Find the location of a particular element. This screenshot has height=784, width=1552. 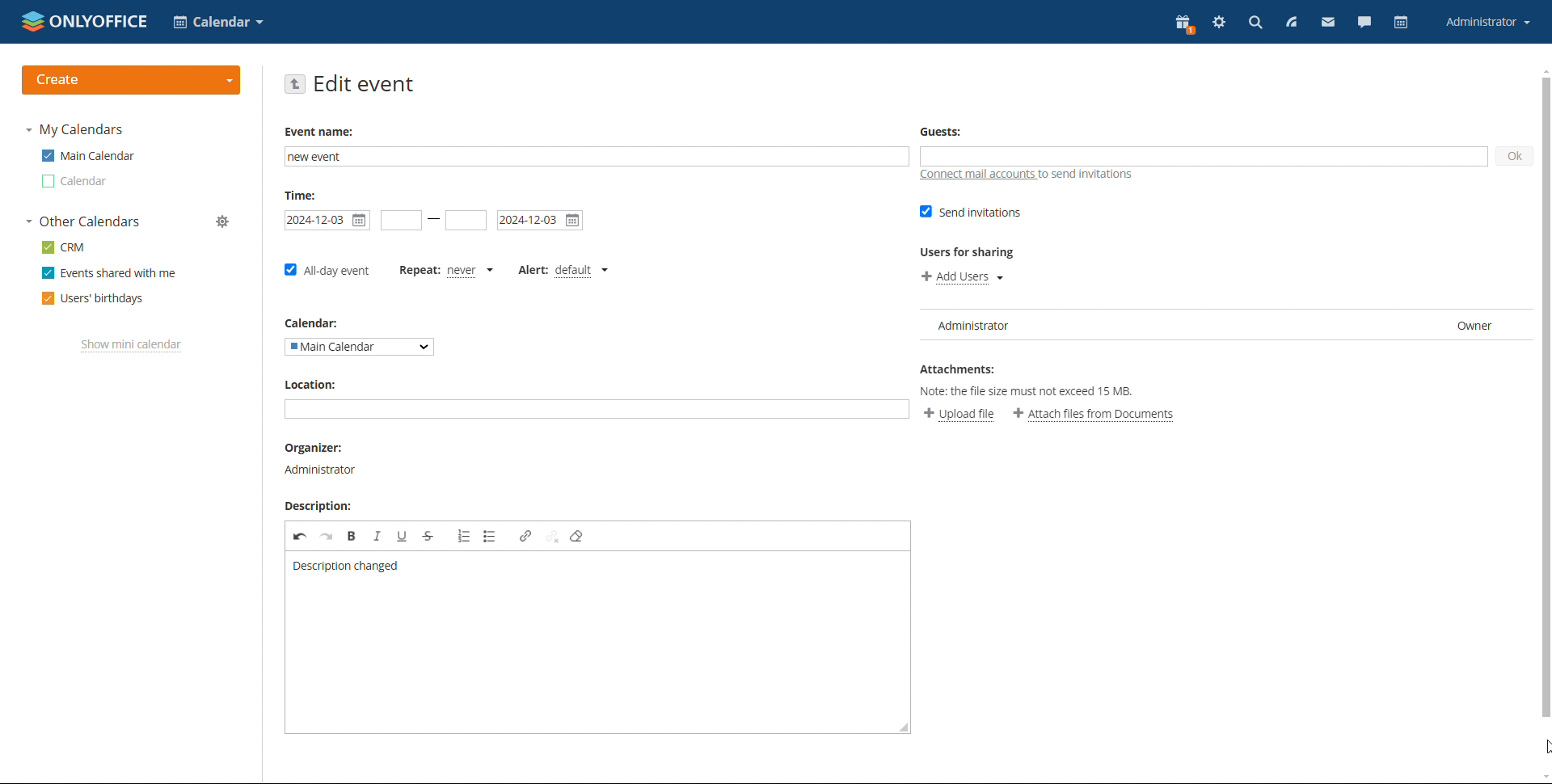

select calendar is located at coordinates (360, 347).